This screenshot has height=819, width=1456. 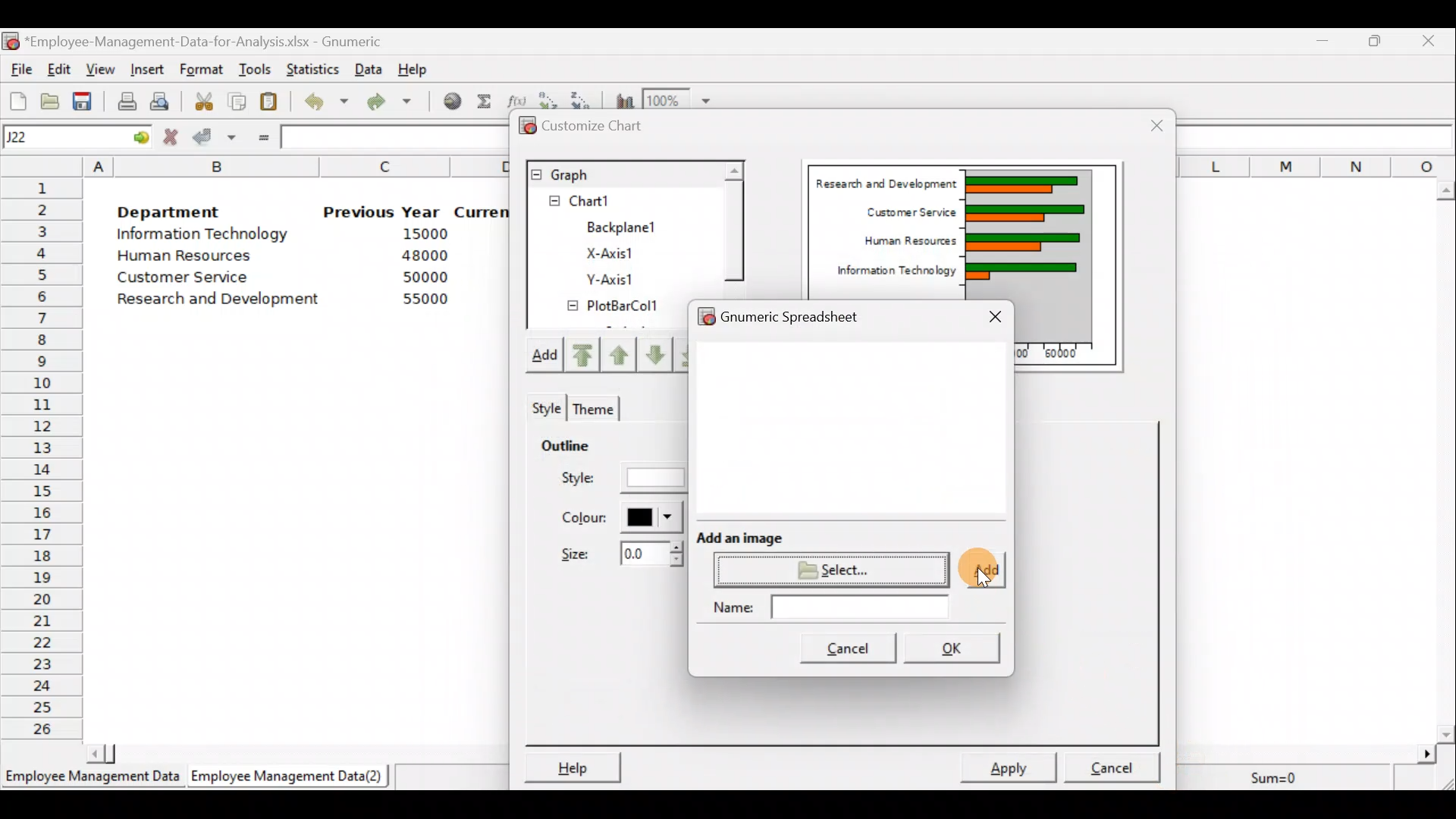 What do you see at coordinates (176, 278) in the screenshot?
I see `Customer Service` at bounding box center [176, 278].